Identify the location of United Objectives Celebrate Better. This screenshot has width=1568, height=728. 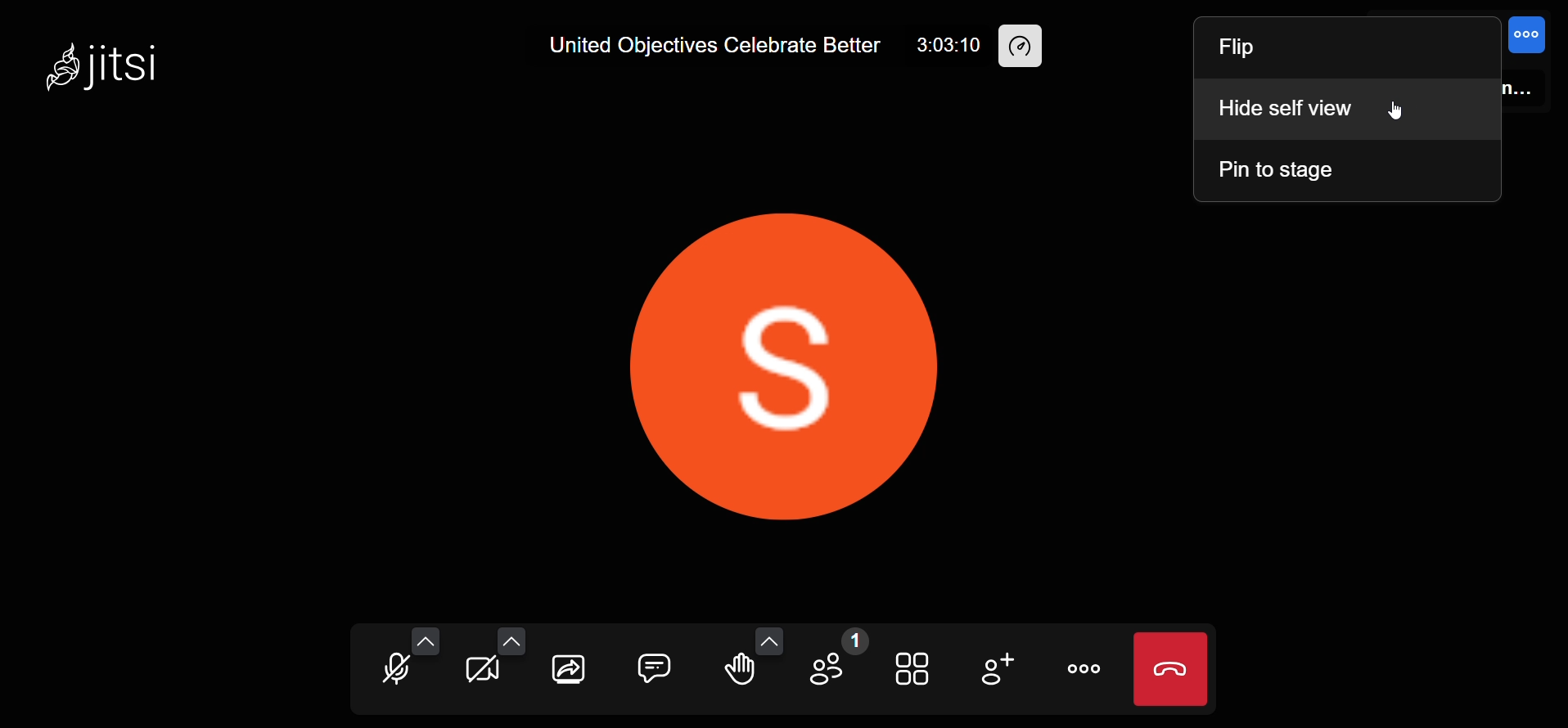
(714, 46).